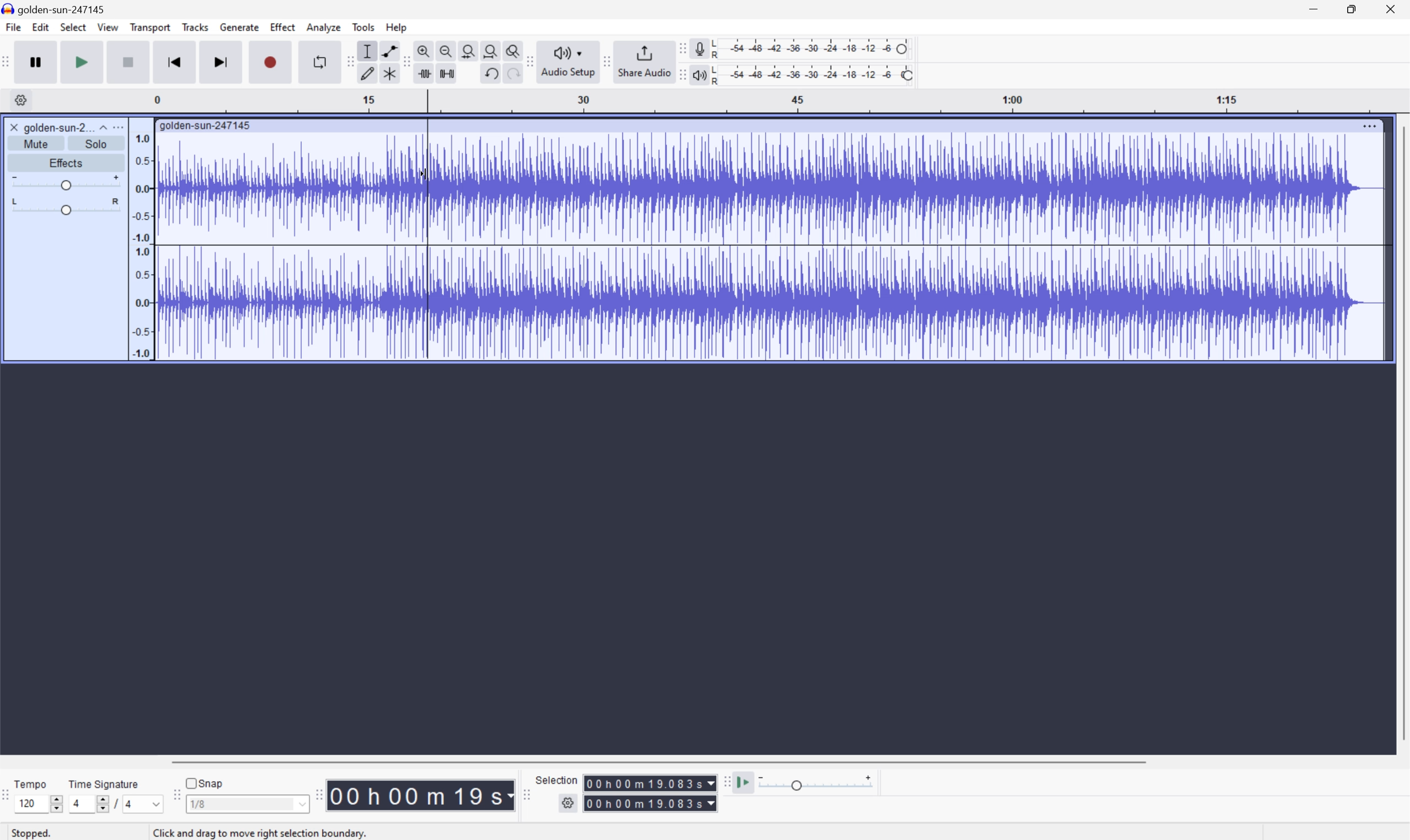 This screenshot has height=840, width=1410. Describe the element at coordinates (198, 803) in the screenshot. I see `1/8` at that location.